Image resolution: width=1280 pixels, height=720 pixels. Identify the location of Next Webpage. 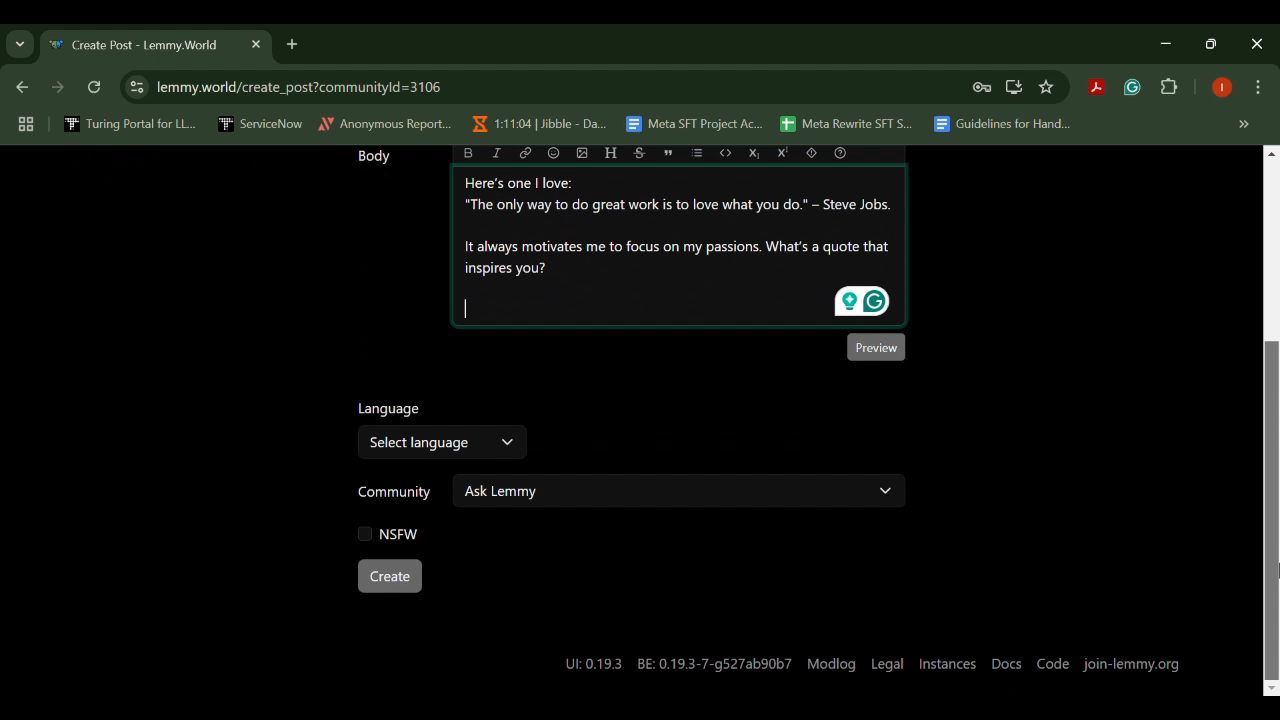
(58, 90).